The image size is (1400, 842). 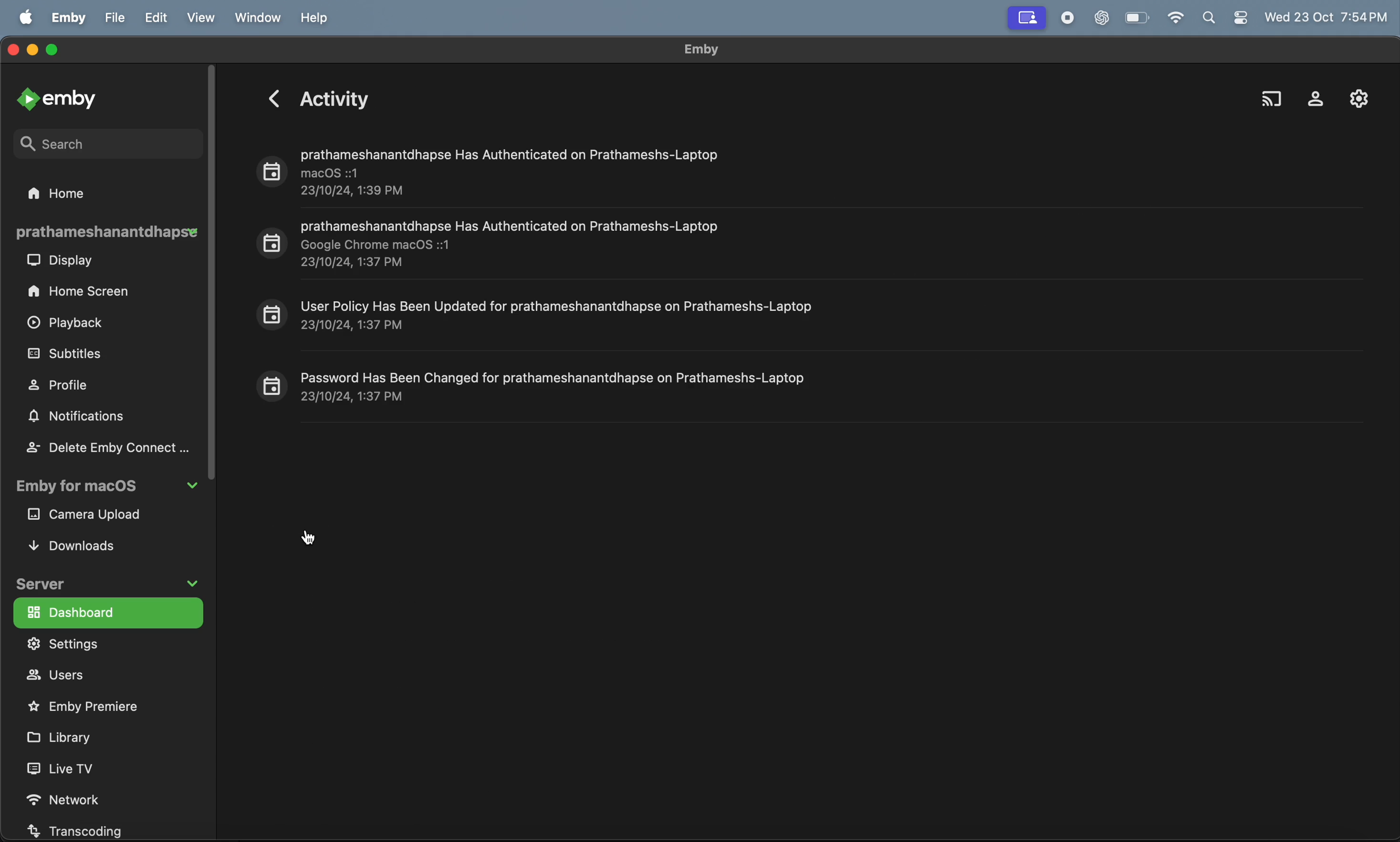 What do you see at coordinates (79, 768) in the screenshot?
I see `live tv` at bounding box center [79, 768].